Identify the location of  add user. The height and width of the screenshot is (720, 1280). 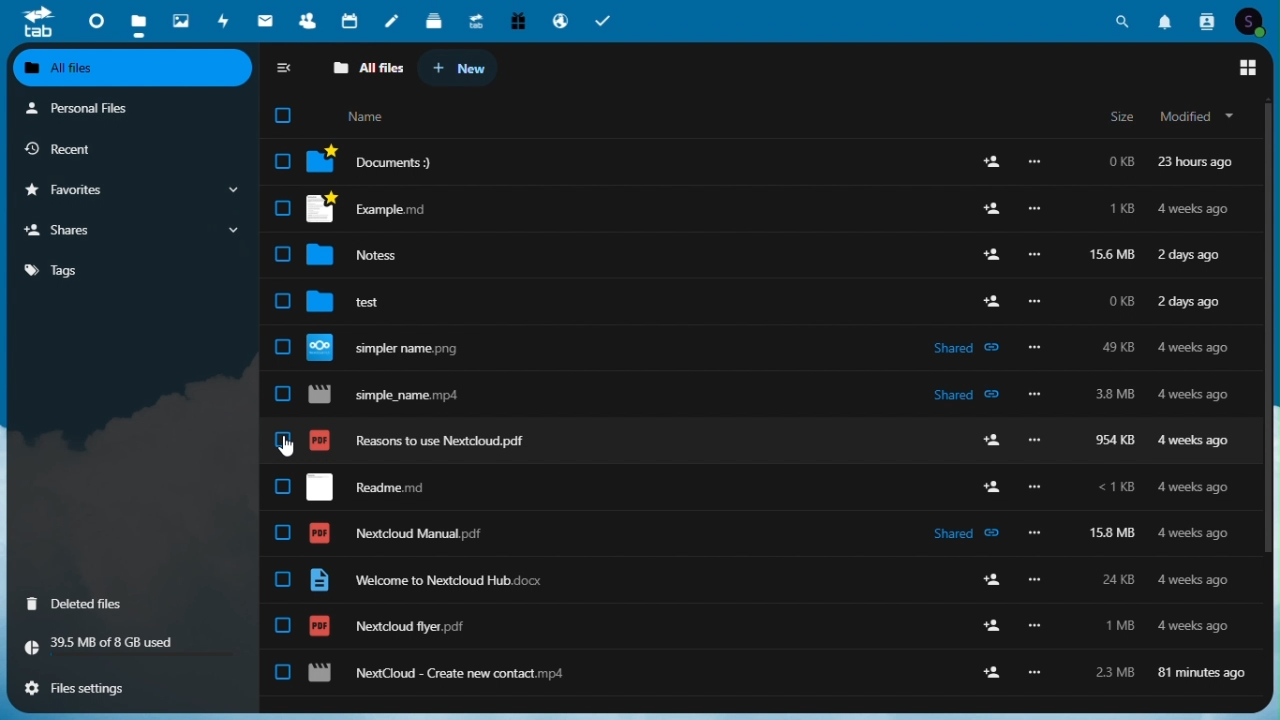
(993, 211).